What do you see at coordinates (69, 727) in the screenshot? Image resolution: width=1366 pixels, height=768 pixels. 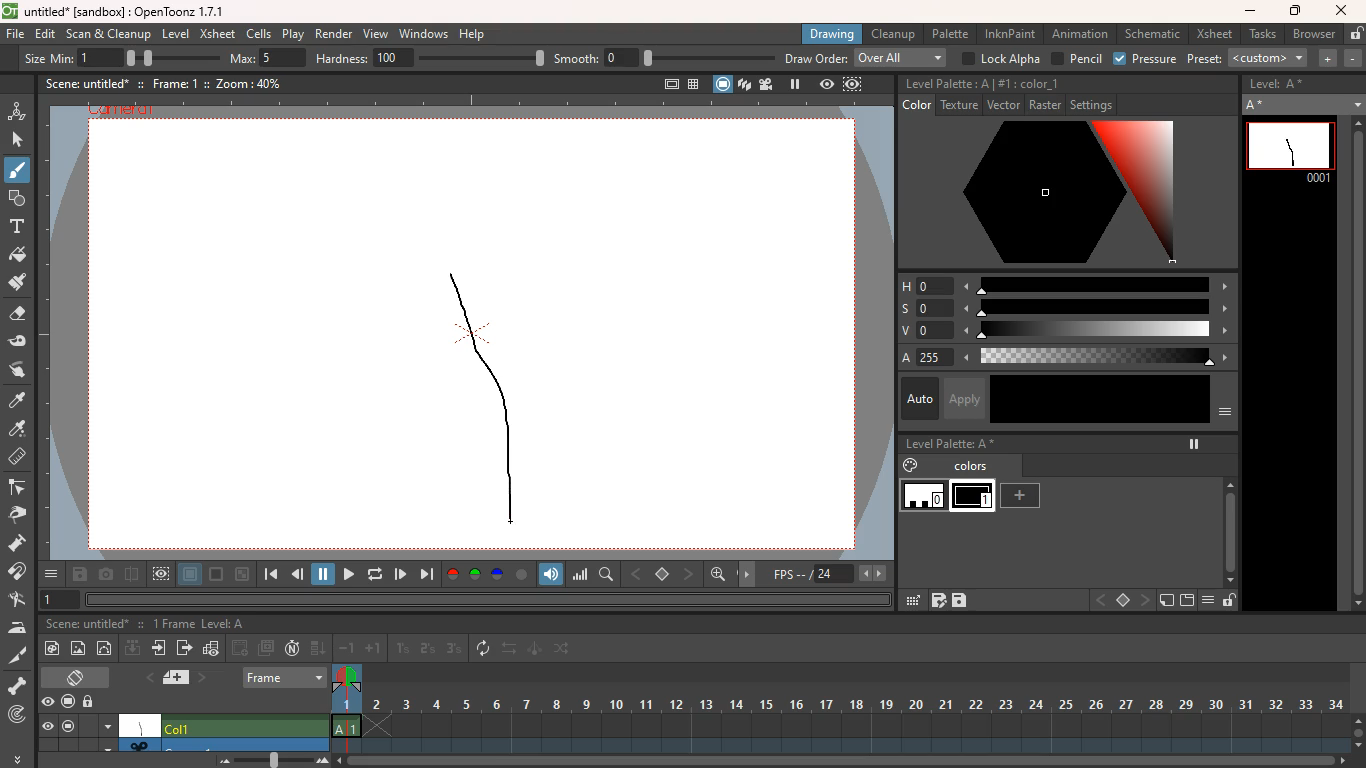 I see `screen` at bounding box center [69, 727].